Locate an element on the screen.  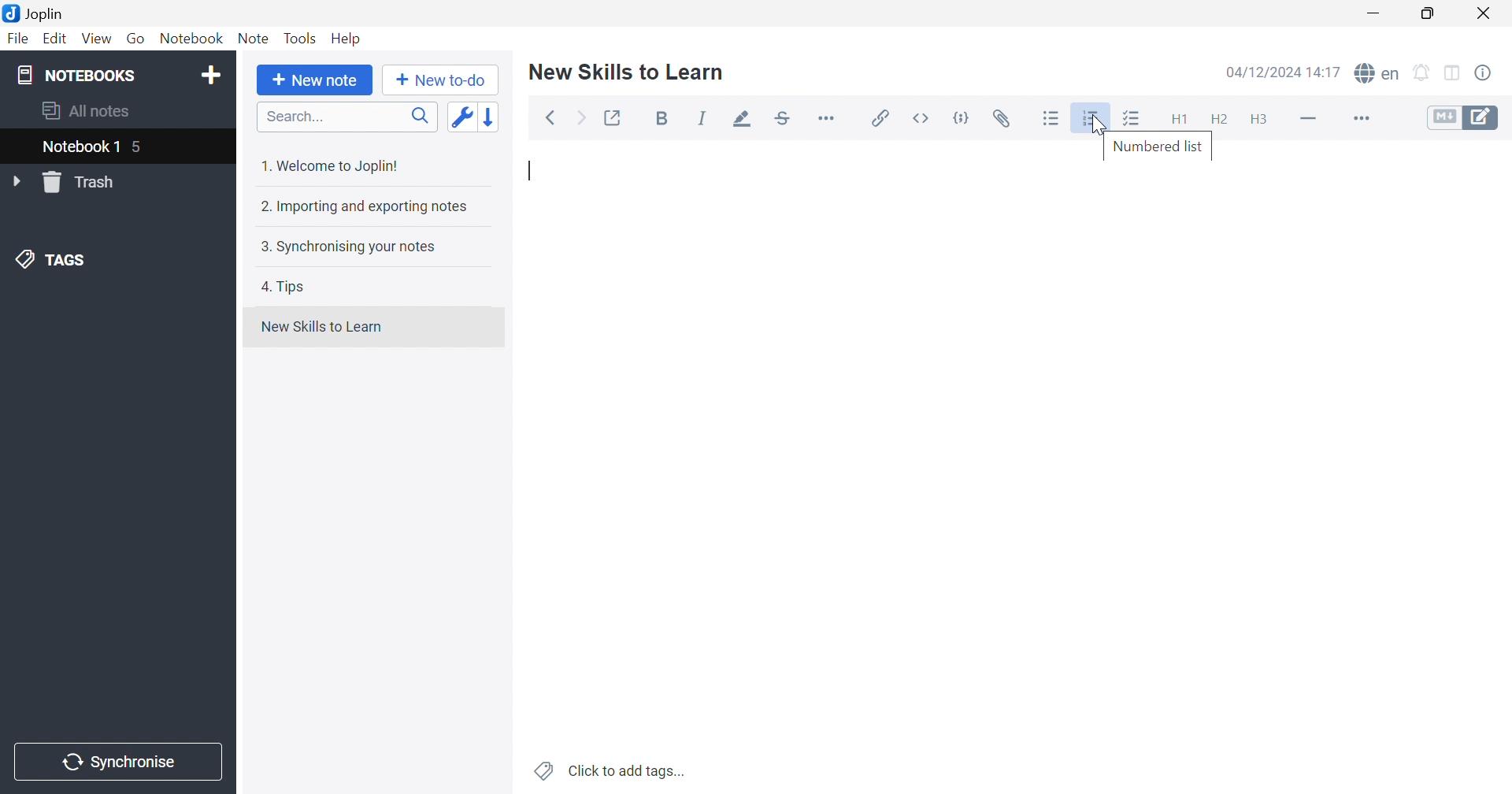
Cursor is located at coordinates (1100, 127).